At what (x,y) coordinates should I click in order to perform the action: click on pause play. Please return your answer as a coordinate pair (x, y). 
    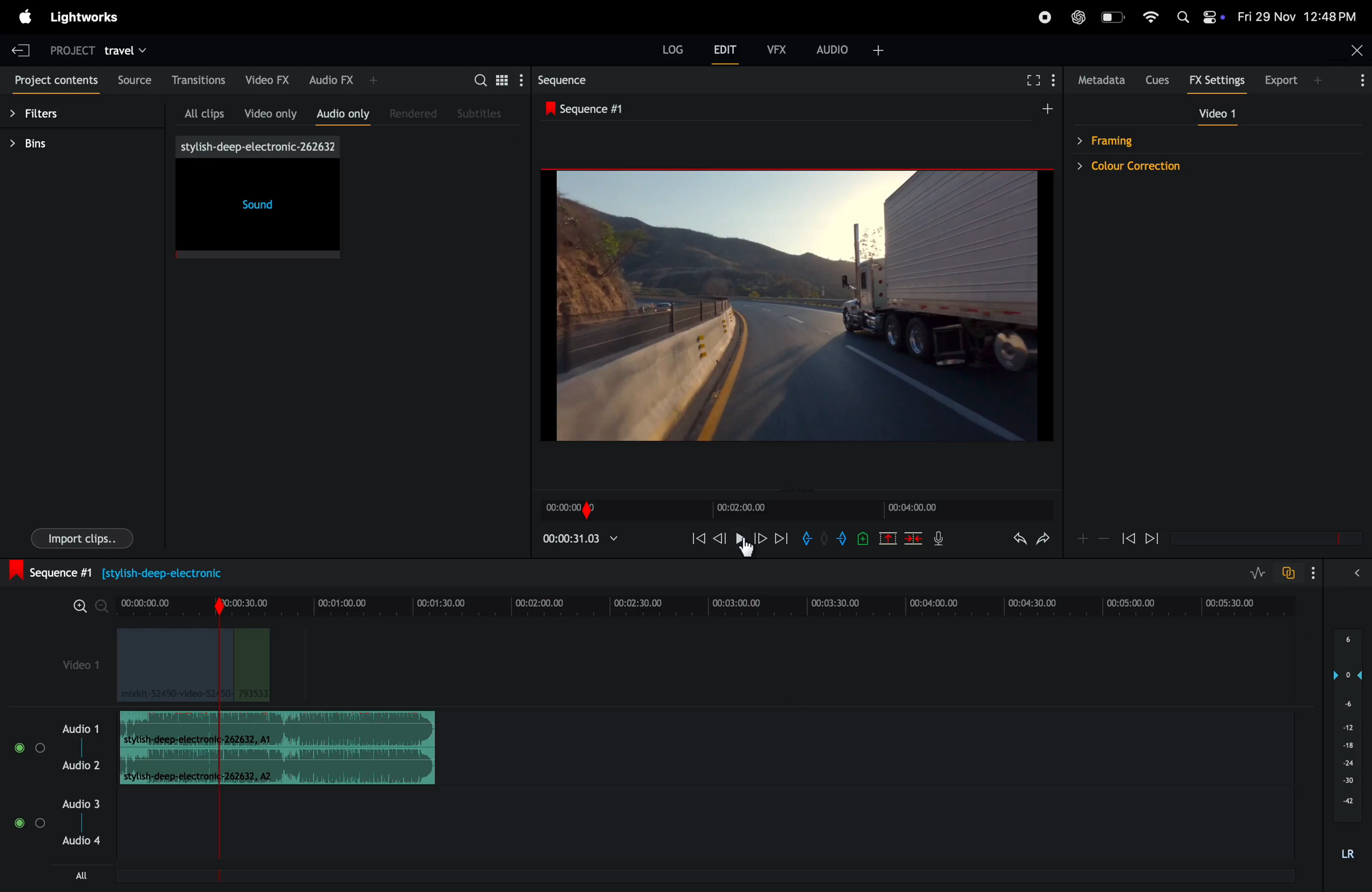
    Looking at the image, I should click on (740, 539).